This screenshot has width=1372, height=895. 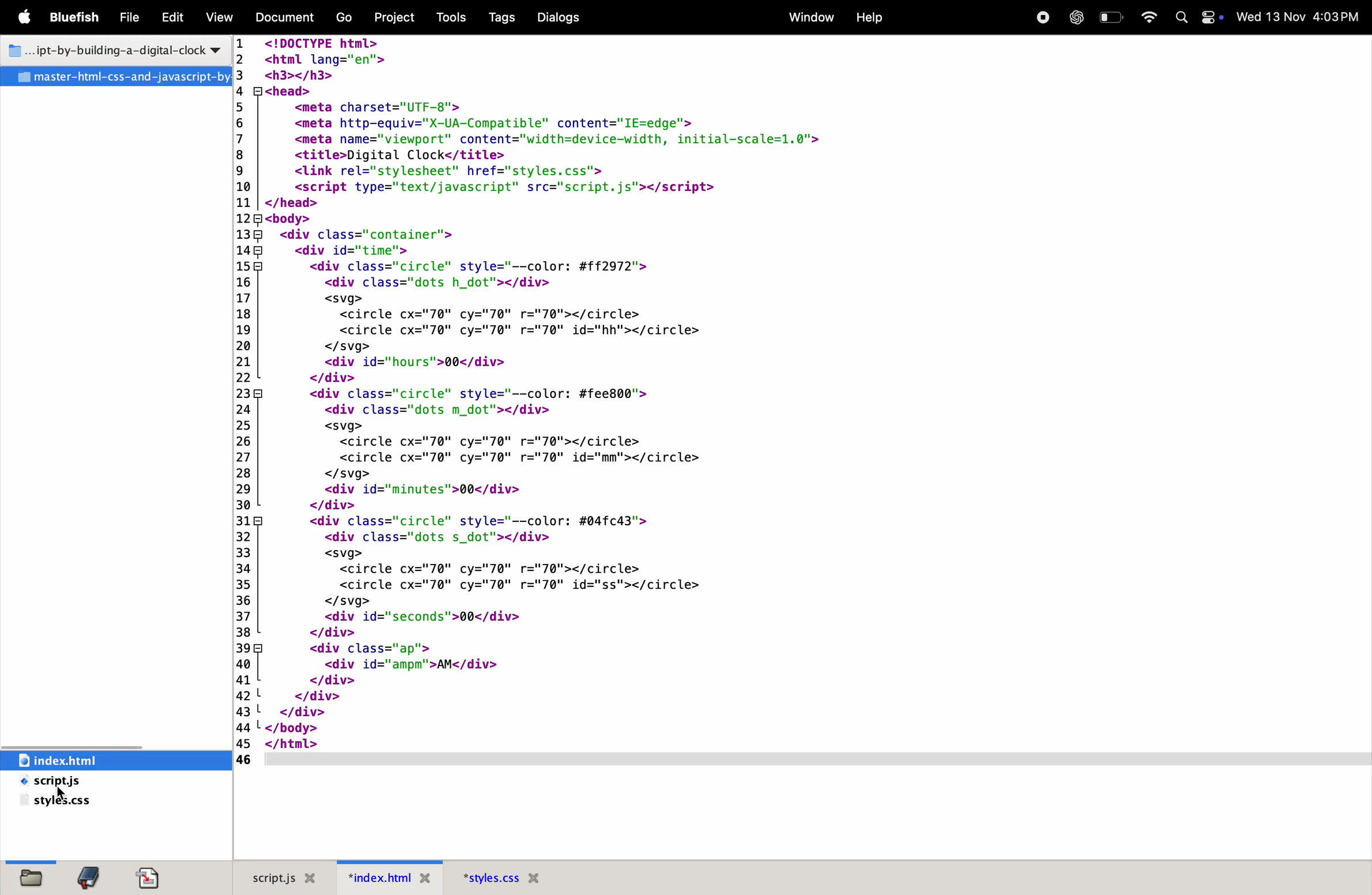 I want to click on Project, so click(x=398, y=17).